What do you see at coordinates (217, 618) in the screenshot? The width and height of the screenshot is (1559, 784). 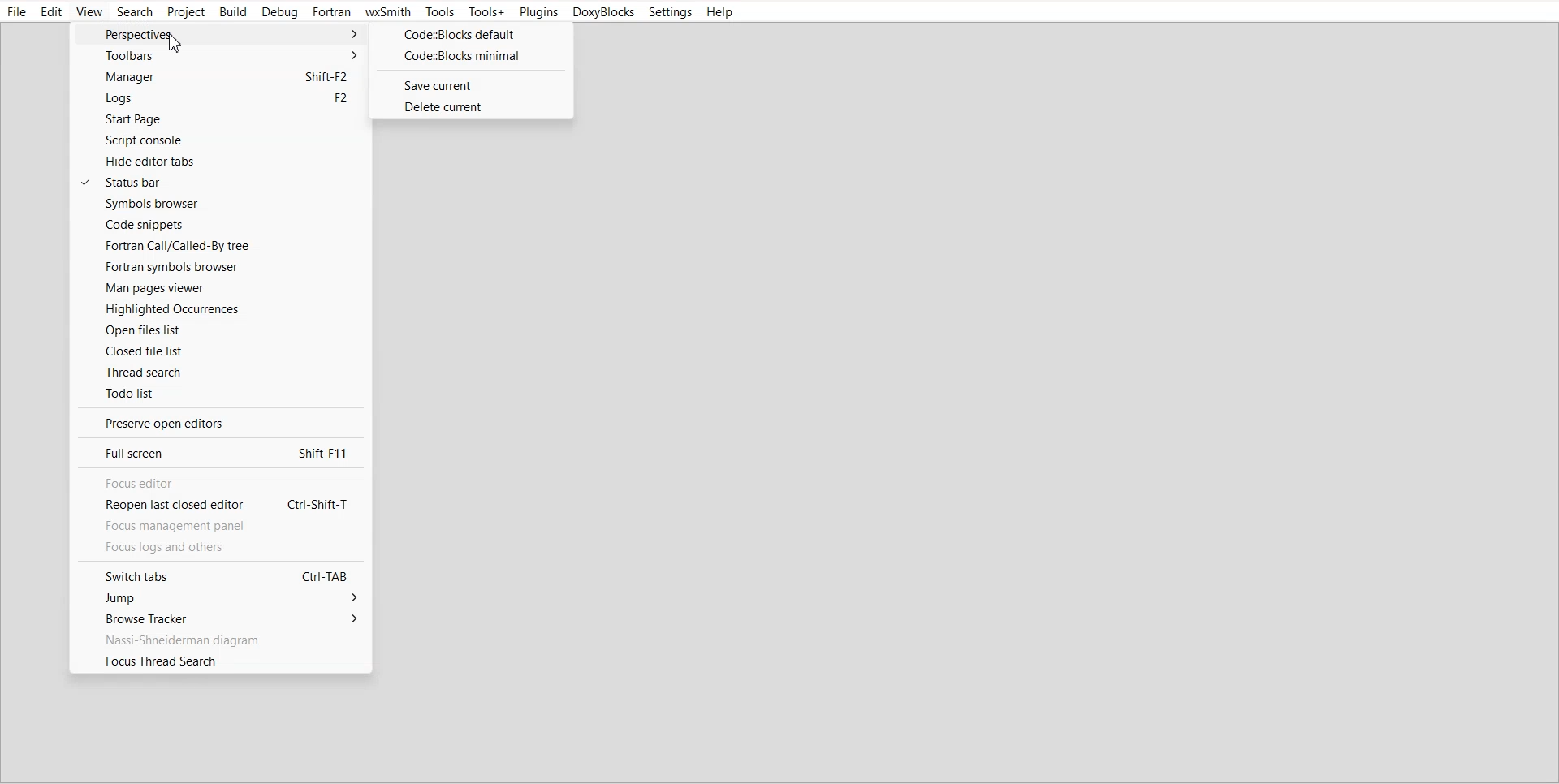 I see `Browse Tracker` at bounding box center [217, 618].